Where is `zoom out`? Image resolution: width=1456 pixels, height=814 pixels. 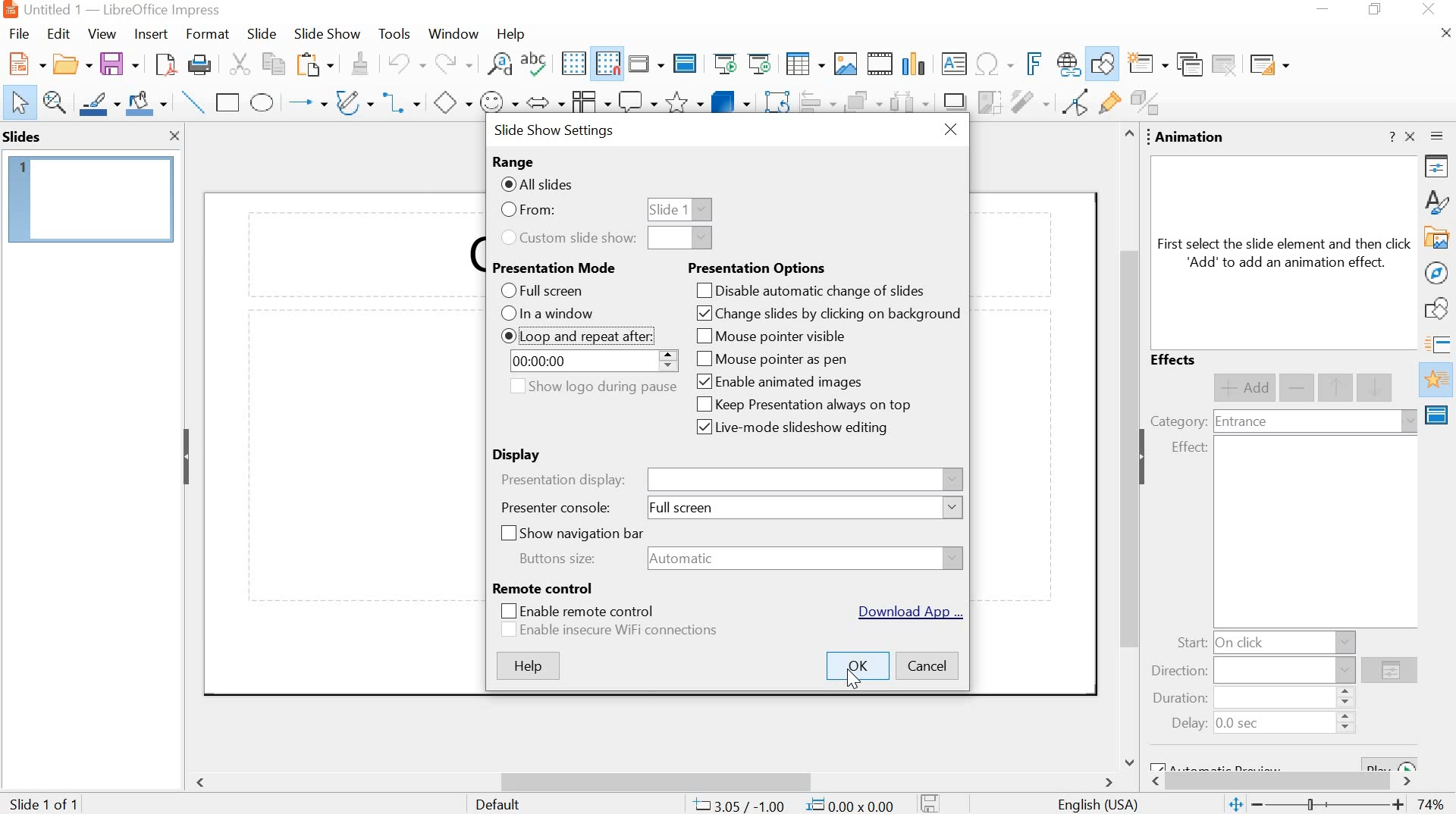 zoom out is located at coordinates (1259, 805).